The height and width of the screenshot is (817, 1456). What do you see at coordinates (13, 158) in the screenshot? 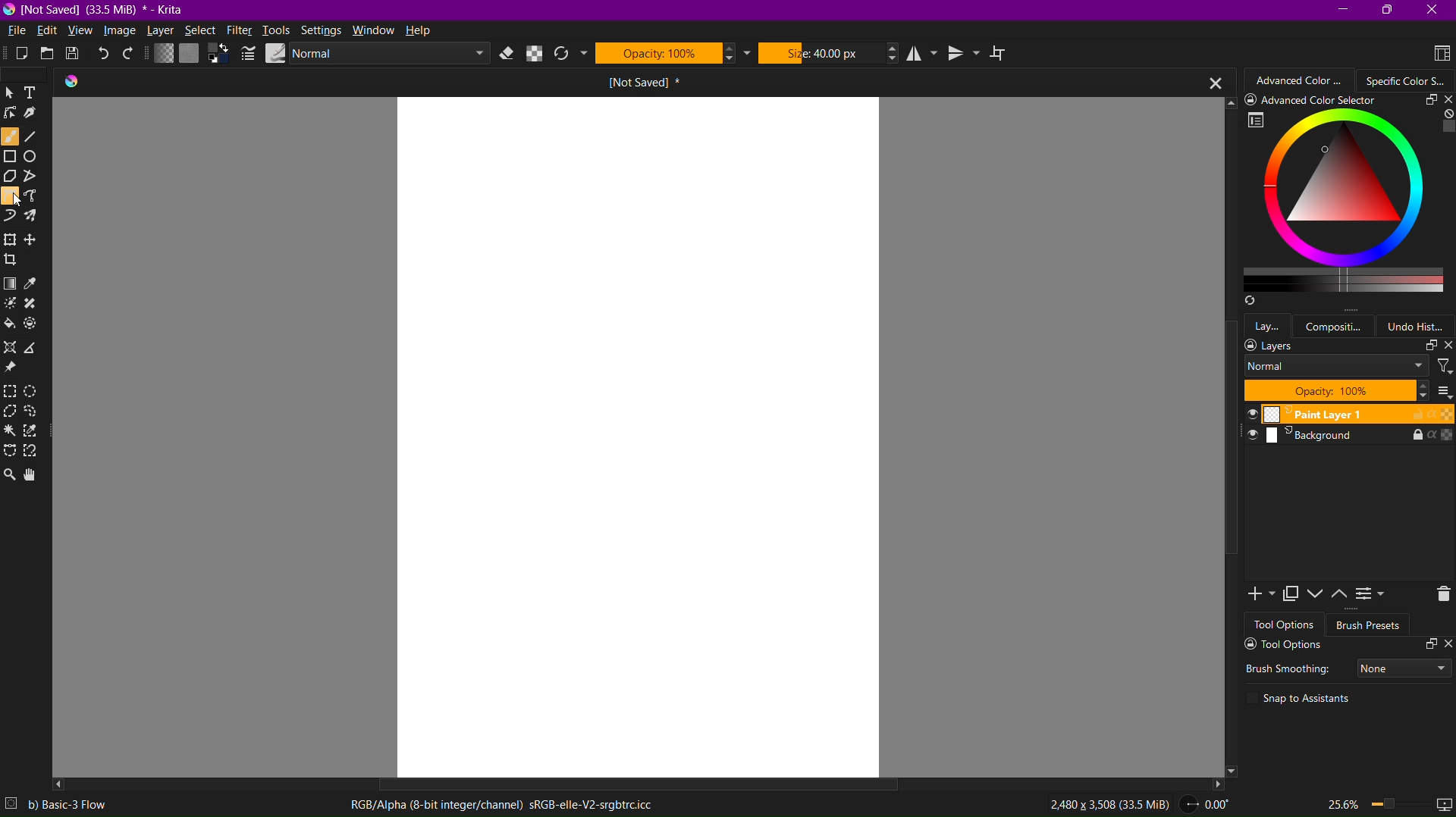
I see `Rectangle Tool` at bounding box center [13, 158].